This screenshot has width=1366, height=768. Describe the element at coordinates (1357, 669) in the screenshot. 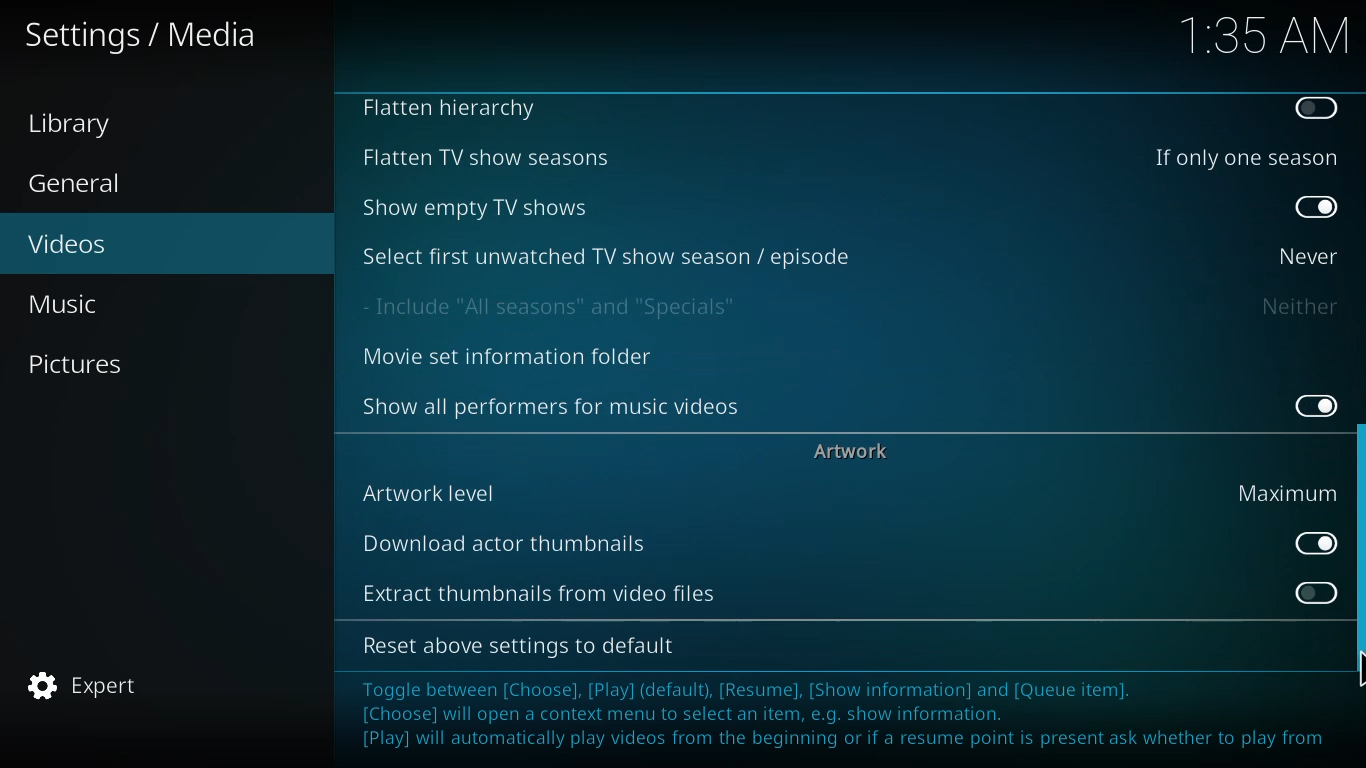

I see `MOUSE_UP Cursor` at that location.